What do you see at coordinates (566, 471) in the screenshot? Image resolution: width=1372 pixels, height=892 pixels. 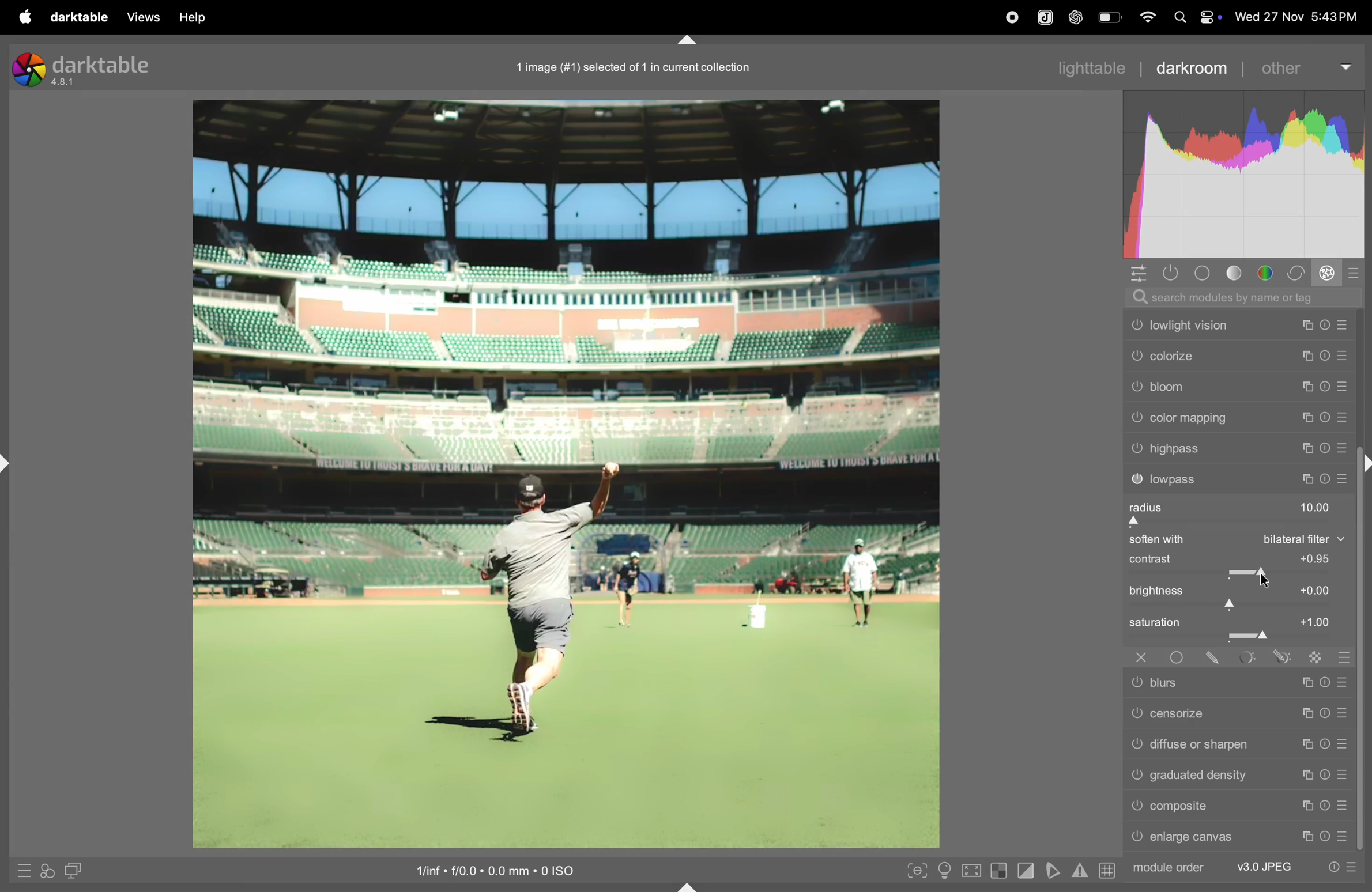 I see `image` at bounding box center [566, 471].